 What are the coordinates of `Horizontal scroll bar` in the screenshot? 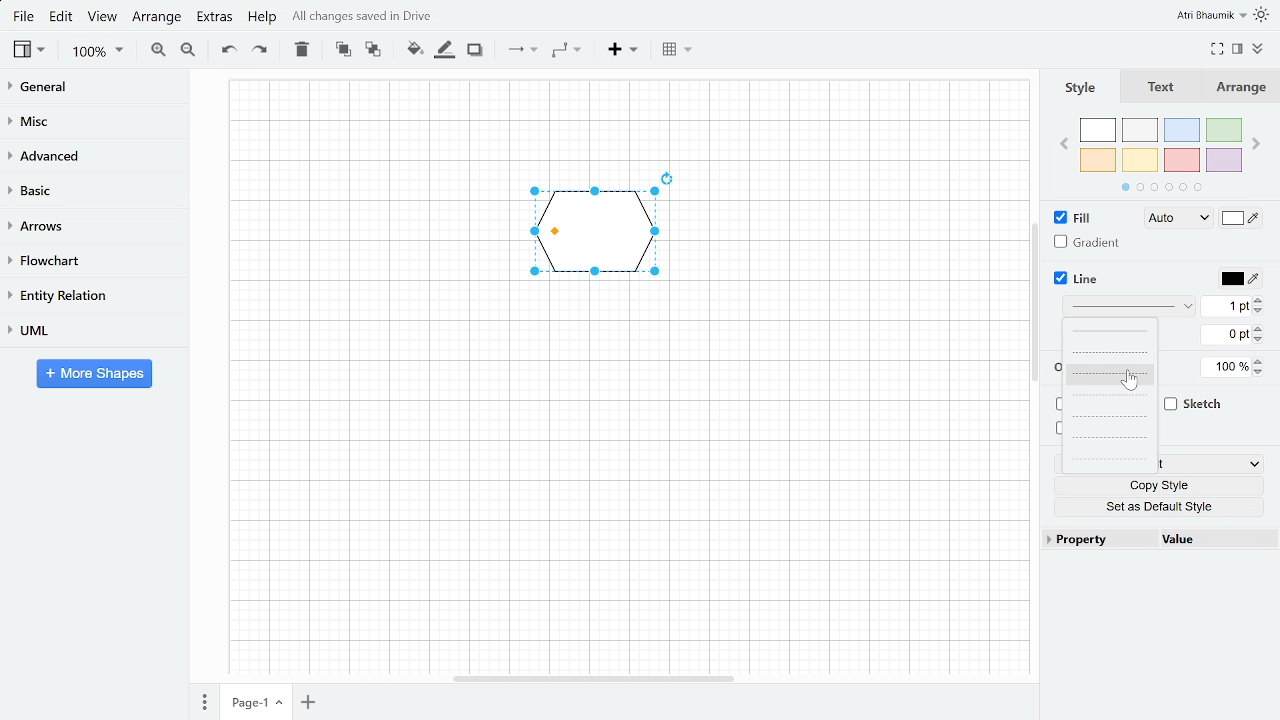 It's located at (594, 679).